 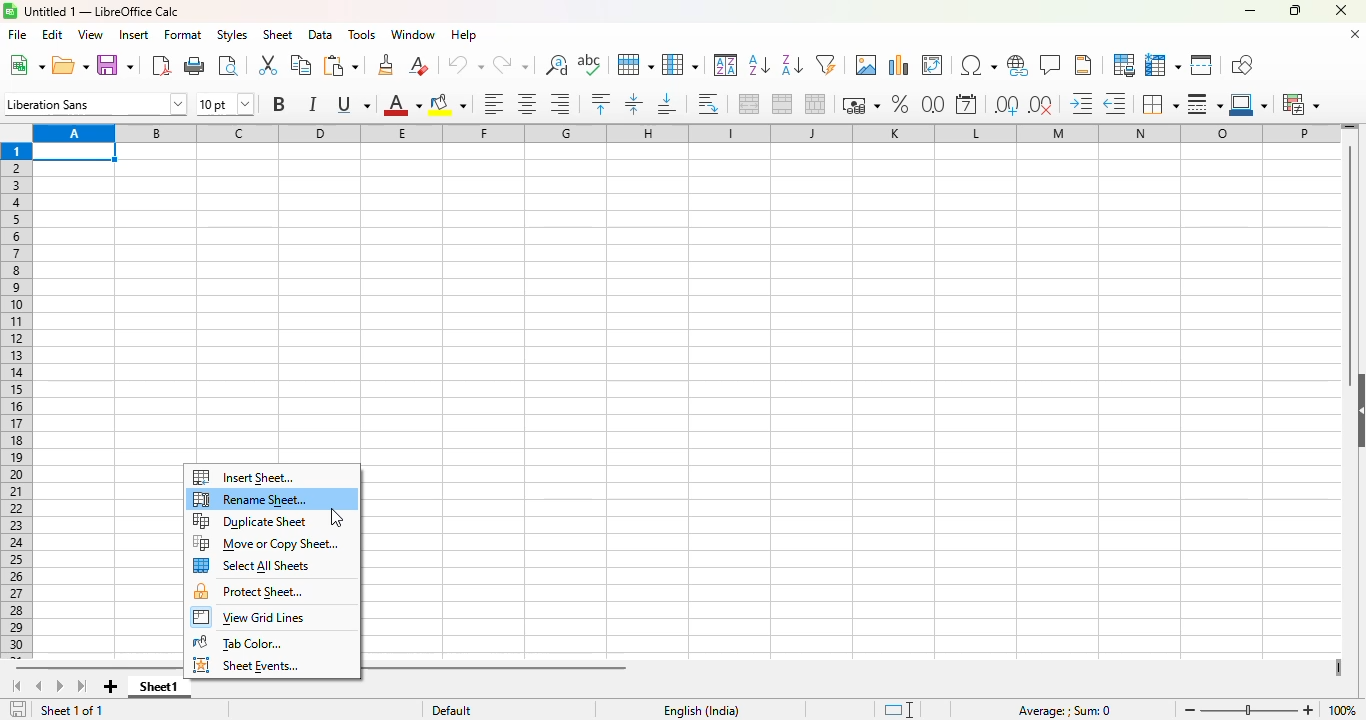 What do you see at coordinates (726, 65) in the screenshot?
I see `sort` at bounding box center [726, 65].